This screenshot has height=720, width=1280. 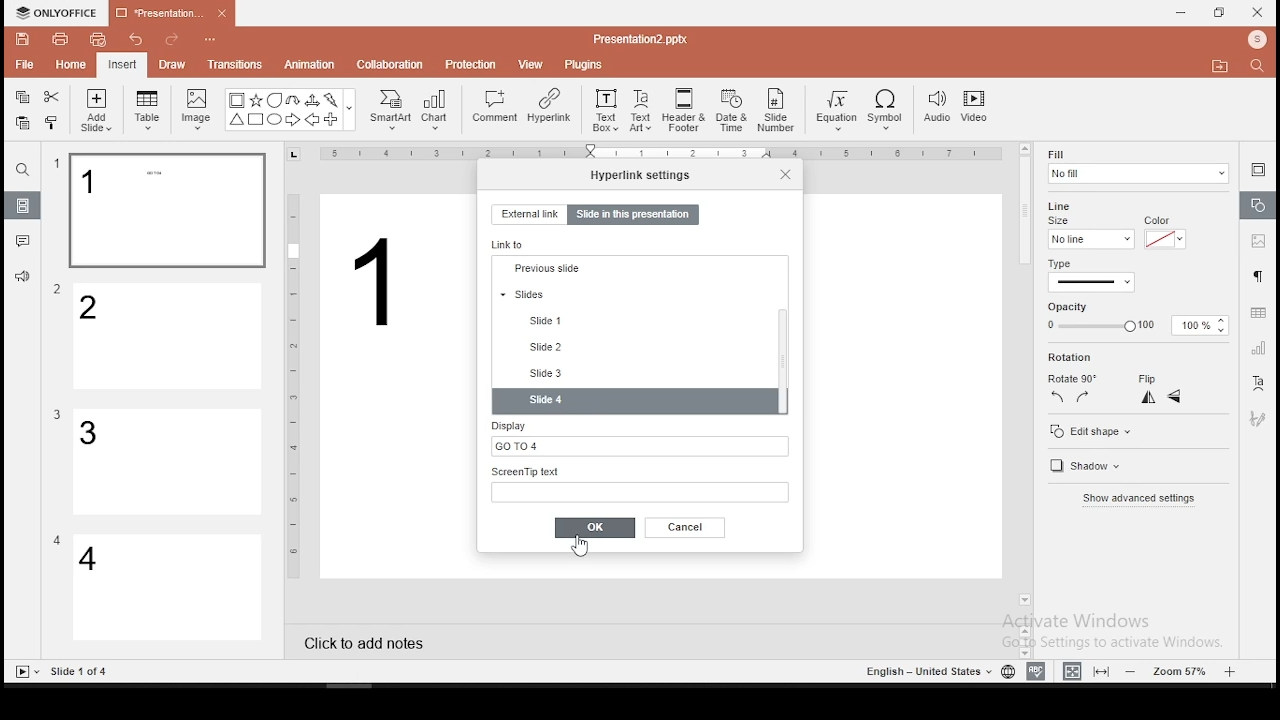 What do you see at coordinates (274, 100) in the screenshot?
I see `Bubble` at bounding box center [274, 100].